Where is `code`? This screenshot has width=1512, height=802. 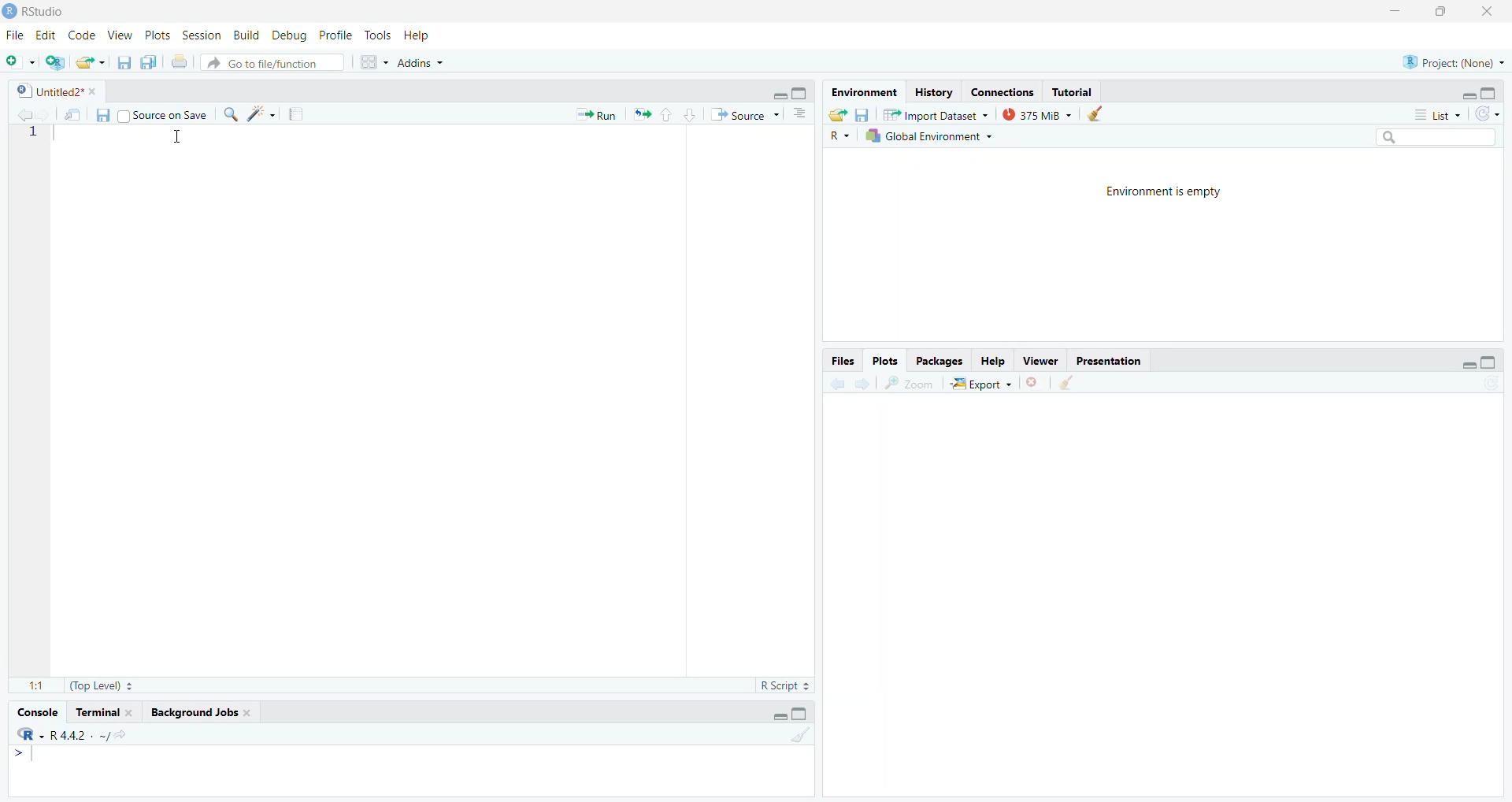 code is located at coordinates (83, 36).